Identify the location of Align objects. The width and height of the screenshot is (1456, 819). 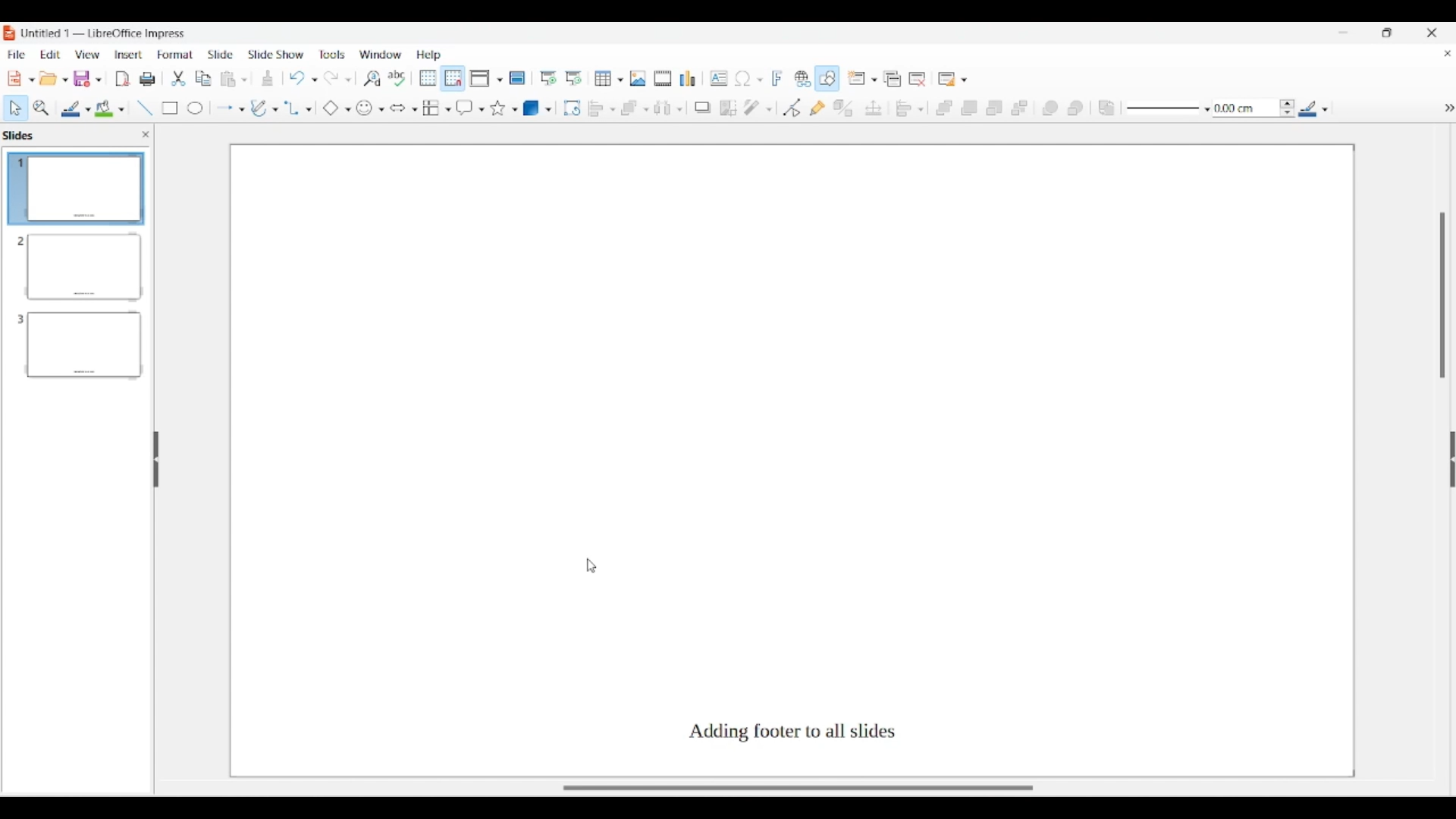
(909, 108).